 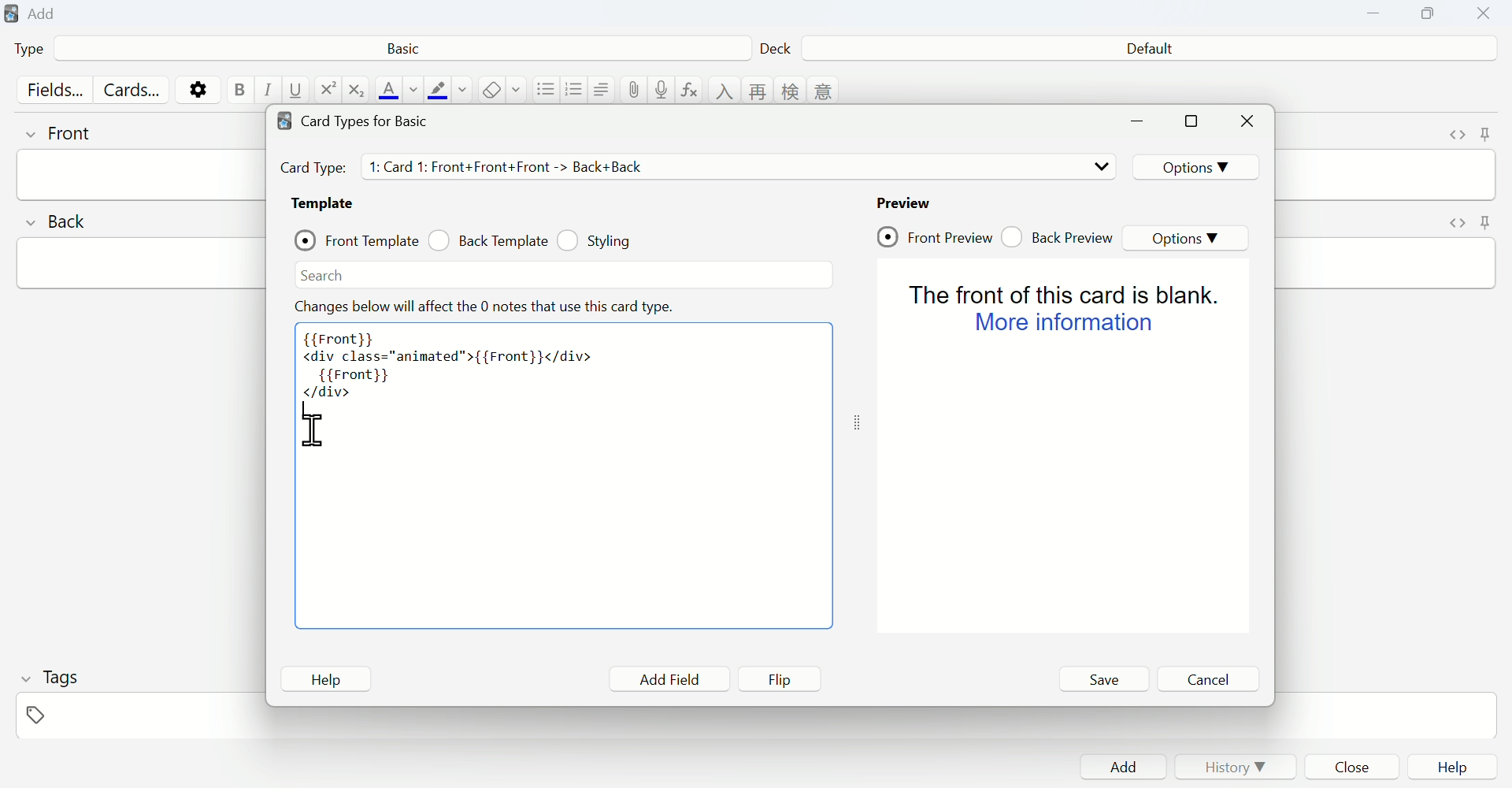 What do you see at coordinates (402, 46) in the screenshot?
I see `Basic` at bounding box center [402, 46].